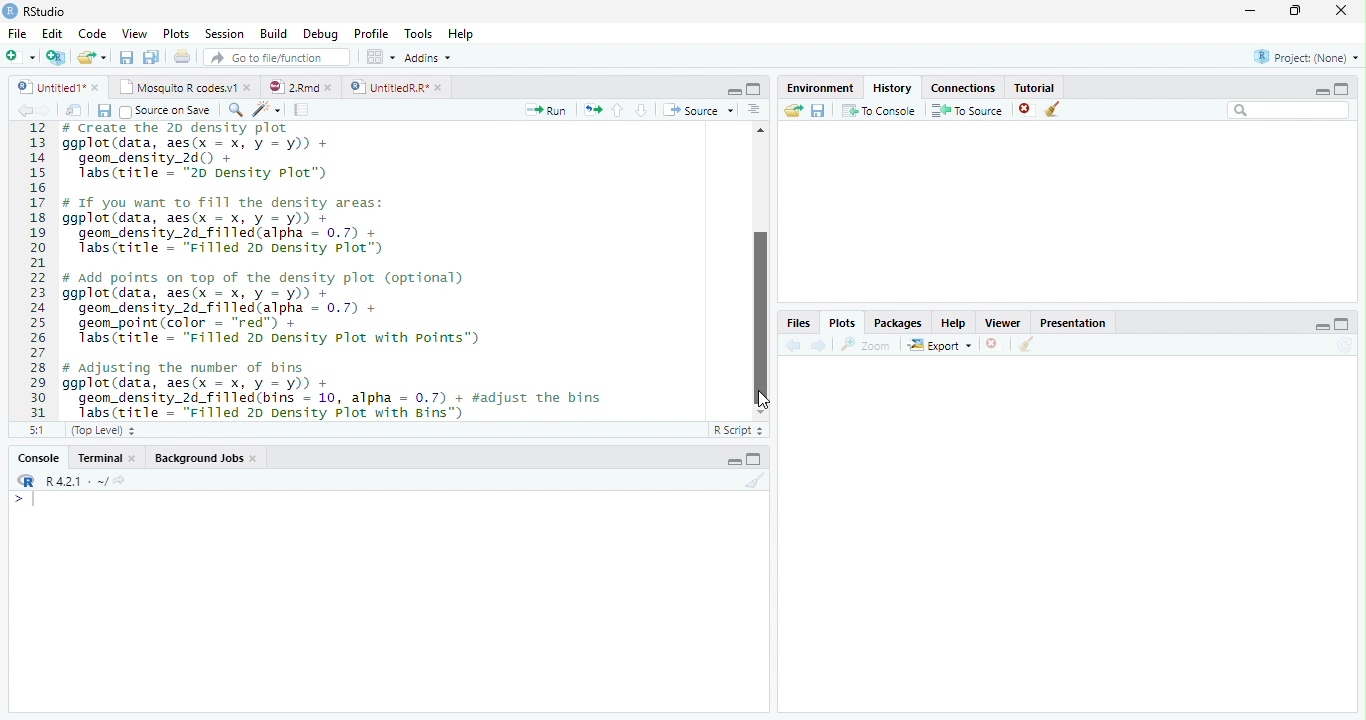  What do you see at coordinates (225, 34) in the screenshot?
I see `Session` at bounding box center [225, 34].